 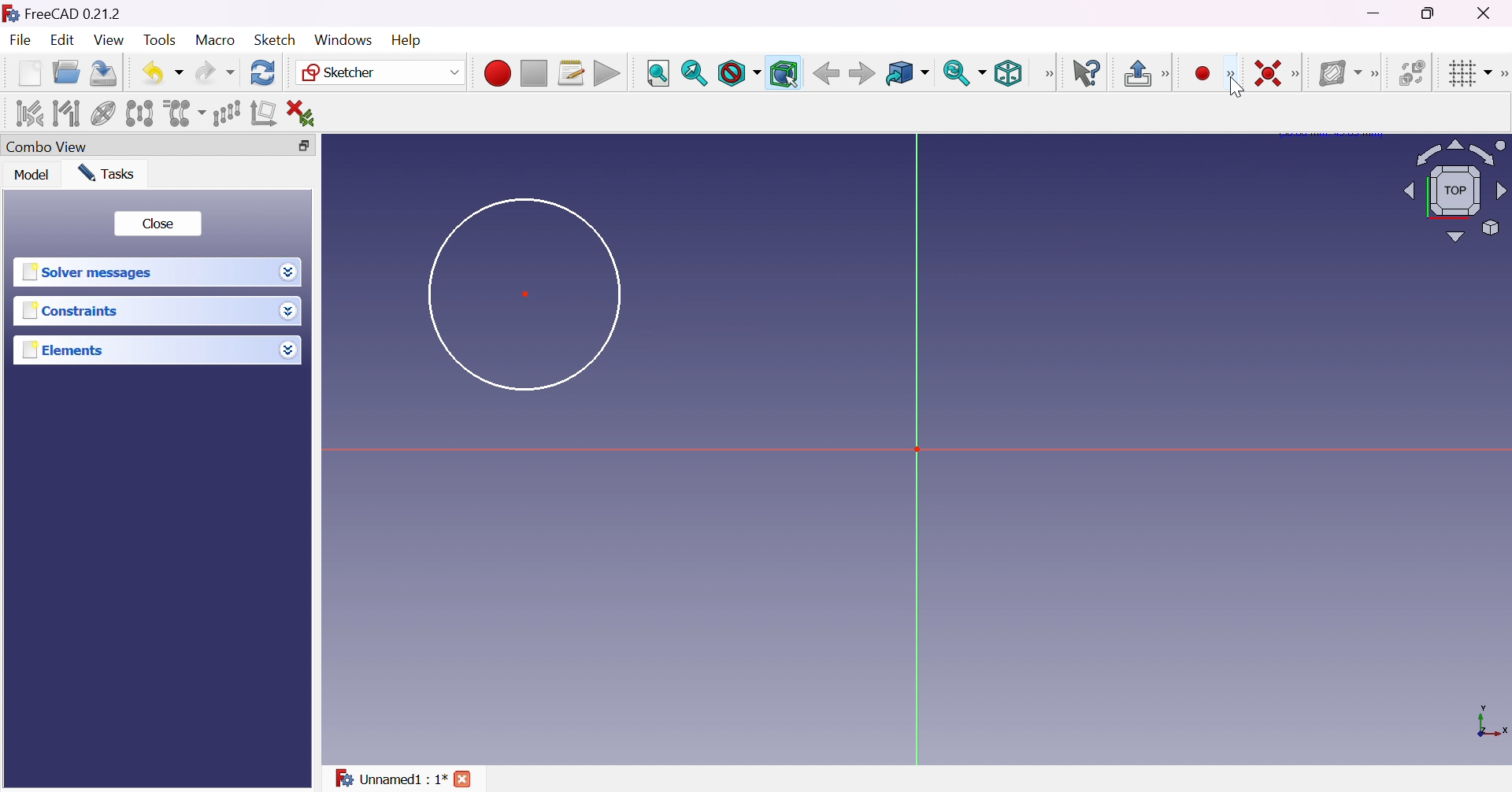 What do you see at coordinates (785, 74) in the screenshot?
I see `Bounding box` at bounding box center [785, 74].